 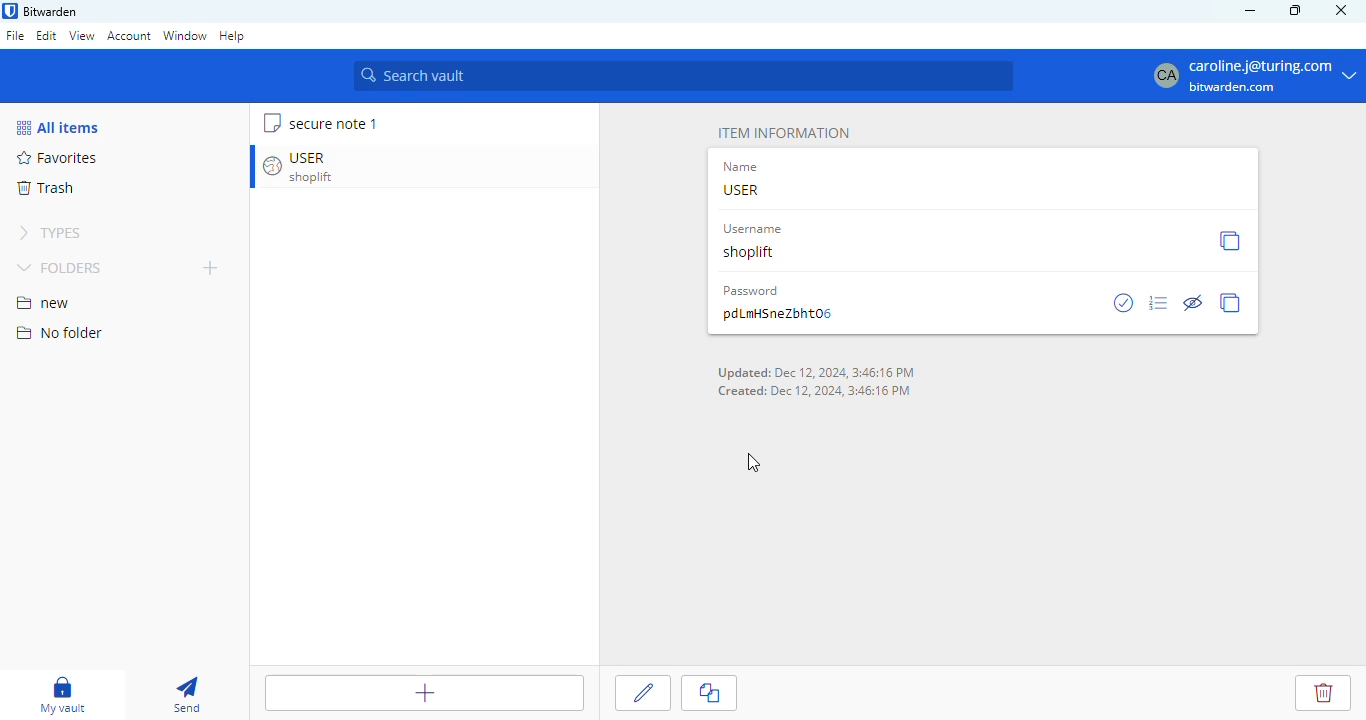 I want to click on item information, so click(x=783, y=133).